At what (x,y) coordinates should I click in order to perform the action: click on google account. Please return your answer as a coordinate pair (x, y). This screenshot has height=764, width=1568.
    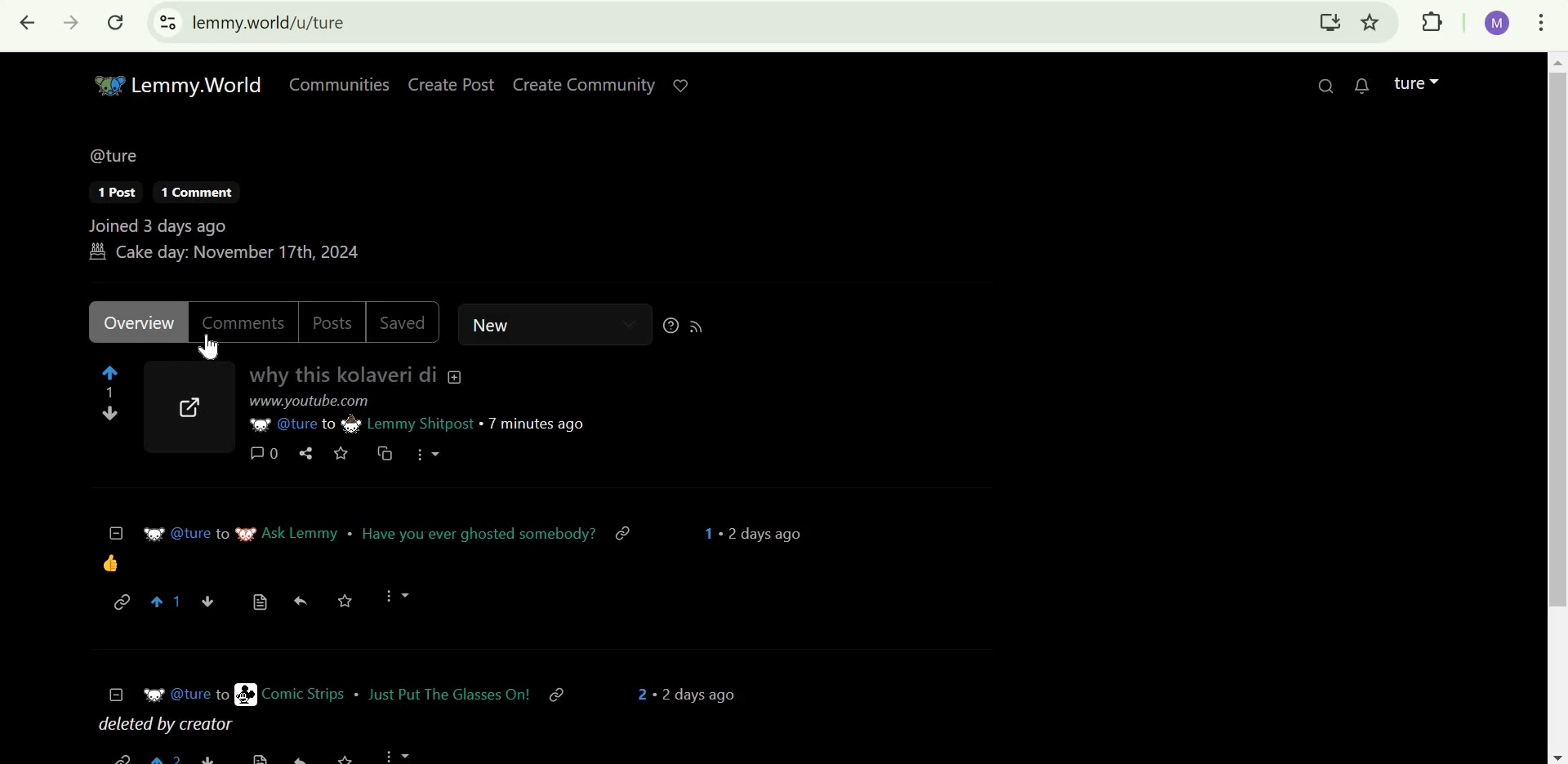
    Looking at the image, I should click on (1499, 24).